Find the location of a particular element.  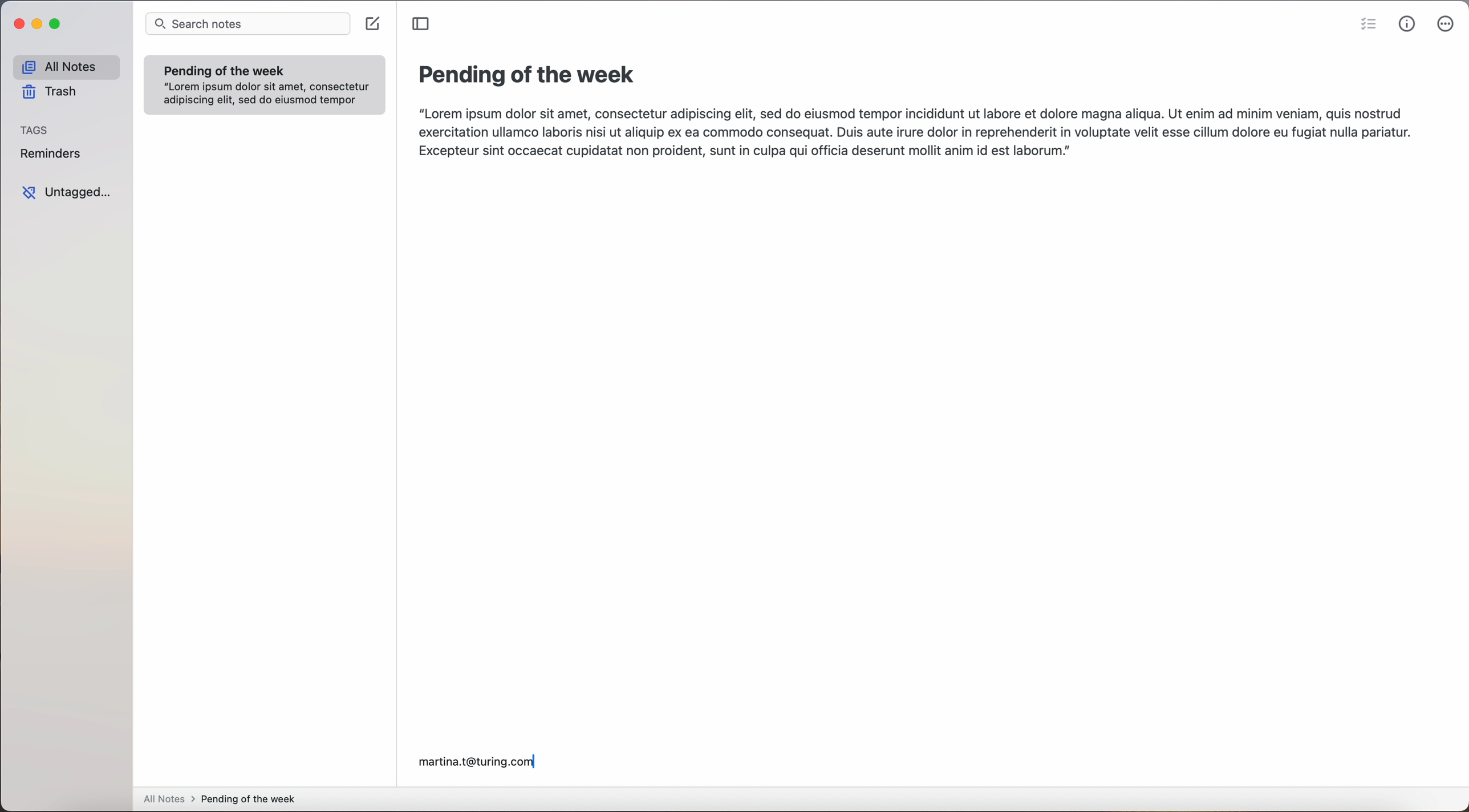

reminders is located at coordinates (53, 155).